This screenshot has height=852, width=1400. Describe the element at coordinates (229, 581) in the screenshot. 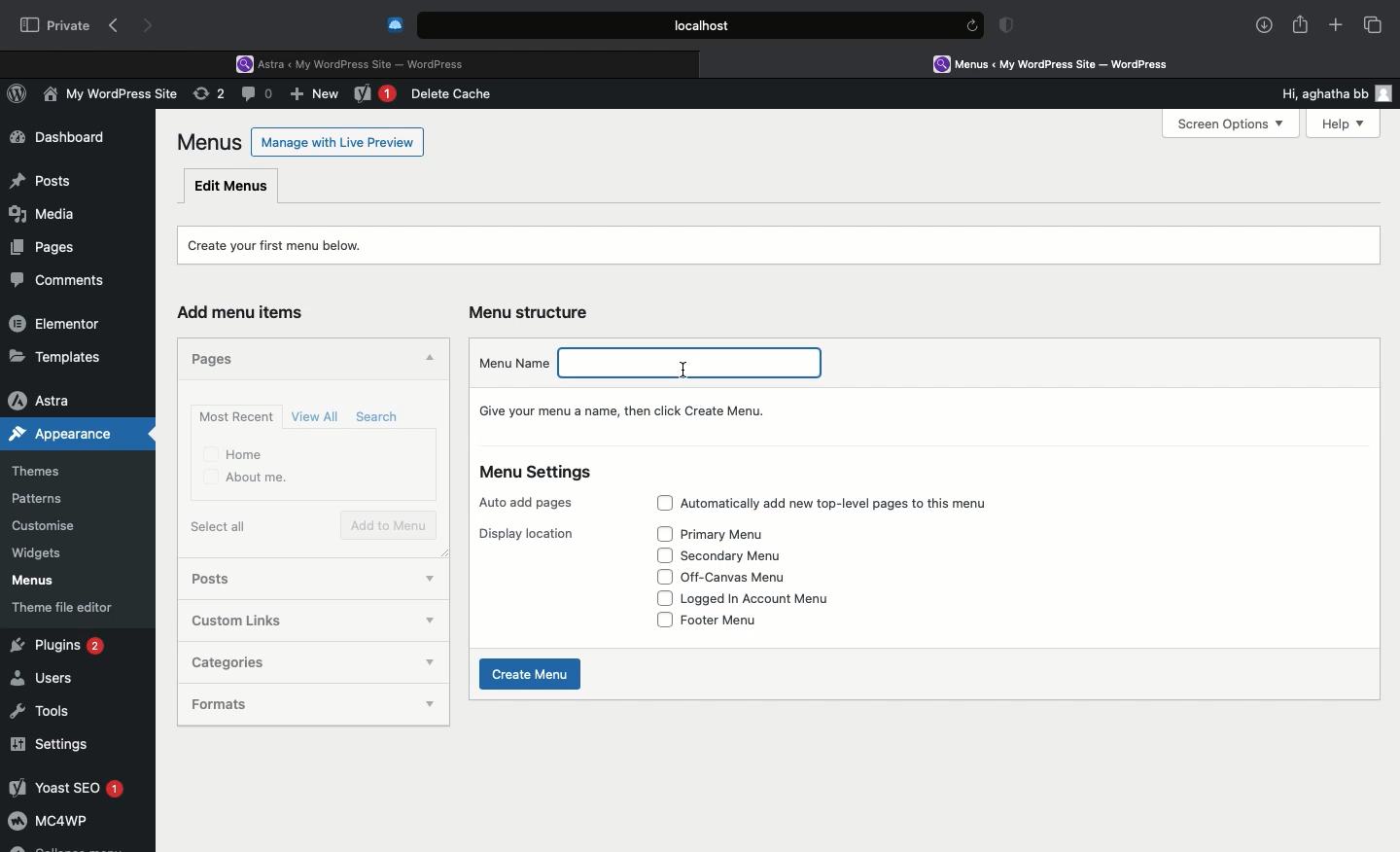

I see `Posts` at that location.